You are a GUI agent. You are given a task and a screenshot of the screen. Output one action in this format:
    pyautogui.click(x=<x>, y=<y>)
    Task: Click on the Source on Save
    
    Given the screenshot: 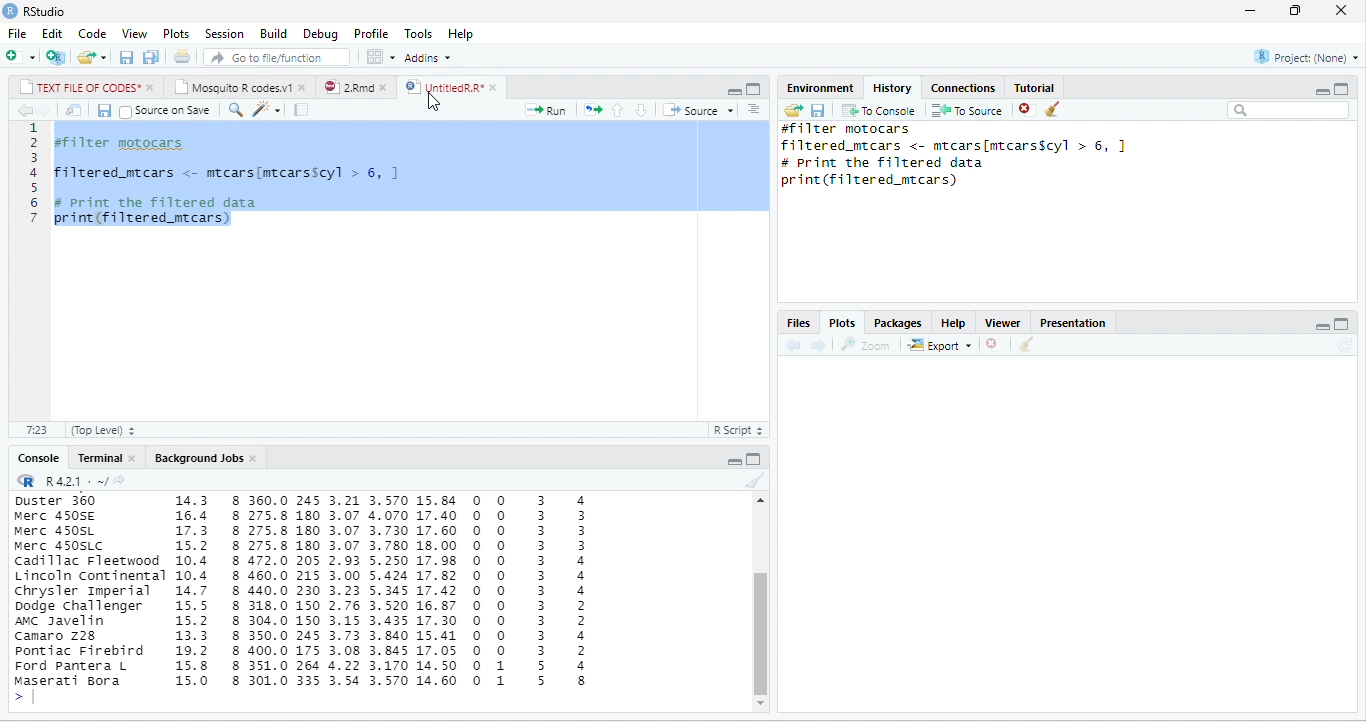 What is the action you would take?
    pyautogui.click(x=166, y=112)
    